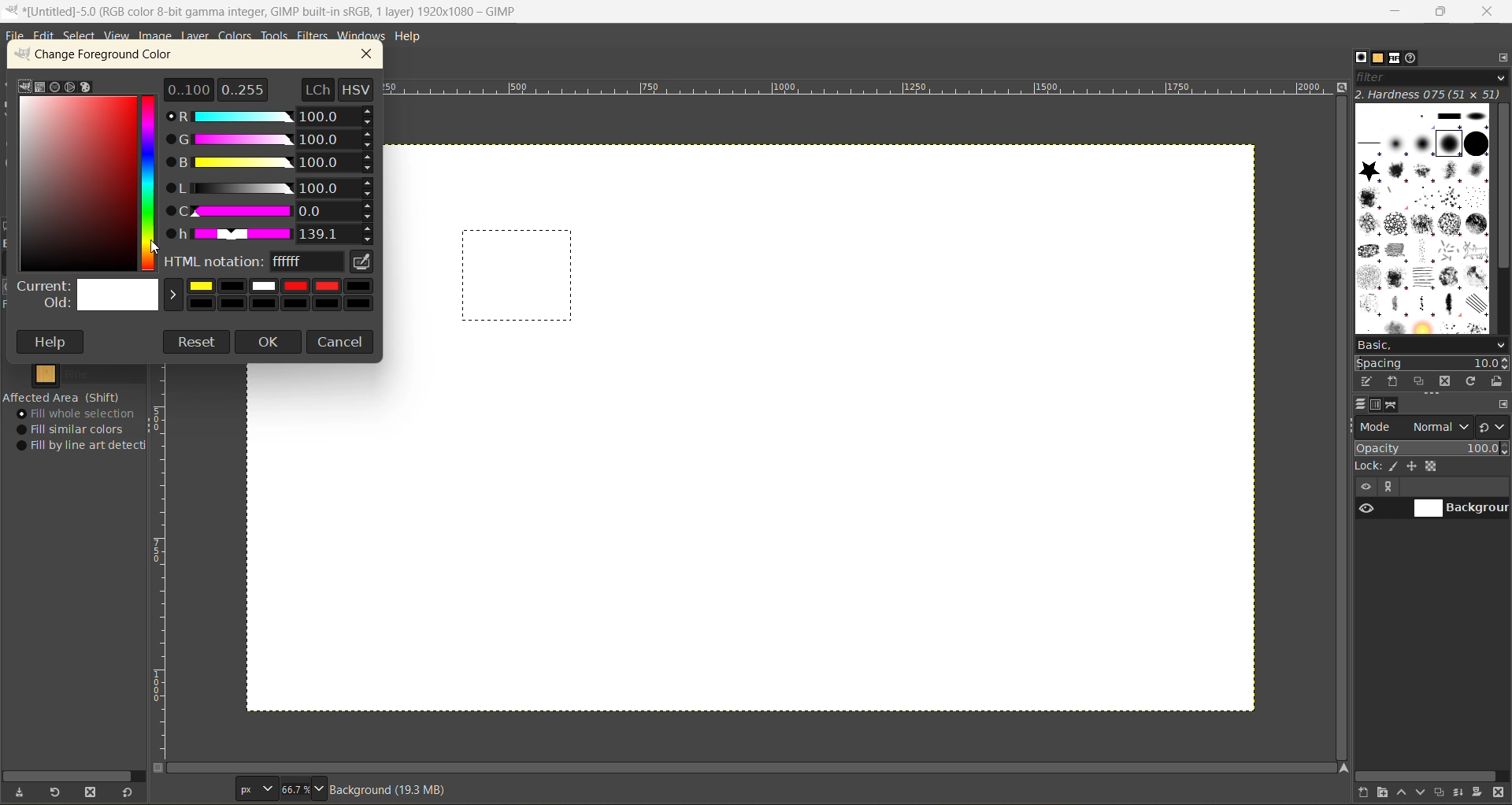 Image resolution: width=1512 pixels, height=805 pixels. What do you see at coordinates (1443, 791) in the screenshot?
I see `create a duplicate layer` at bounding box center [1443, 791].